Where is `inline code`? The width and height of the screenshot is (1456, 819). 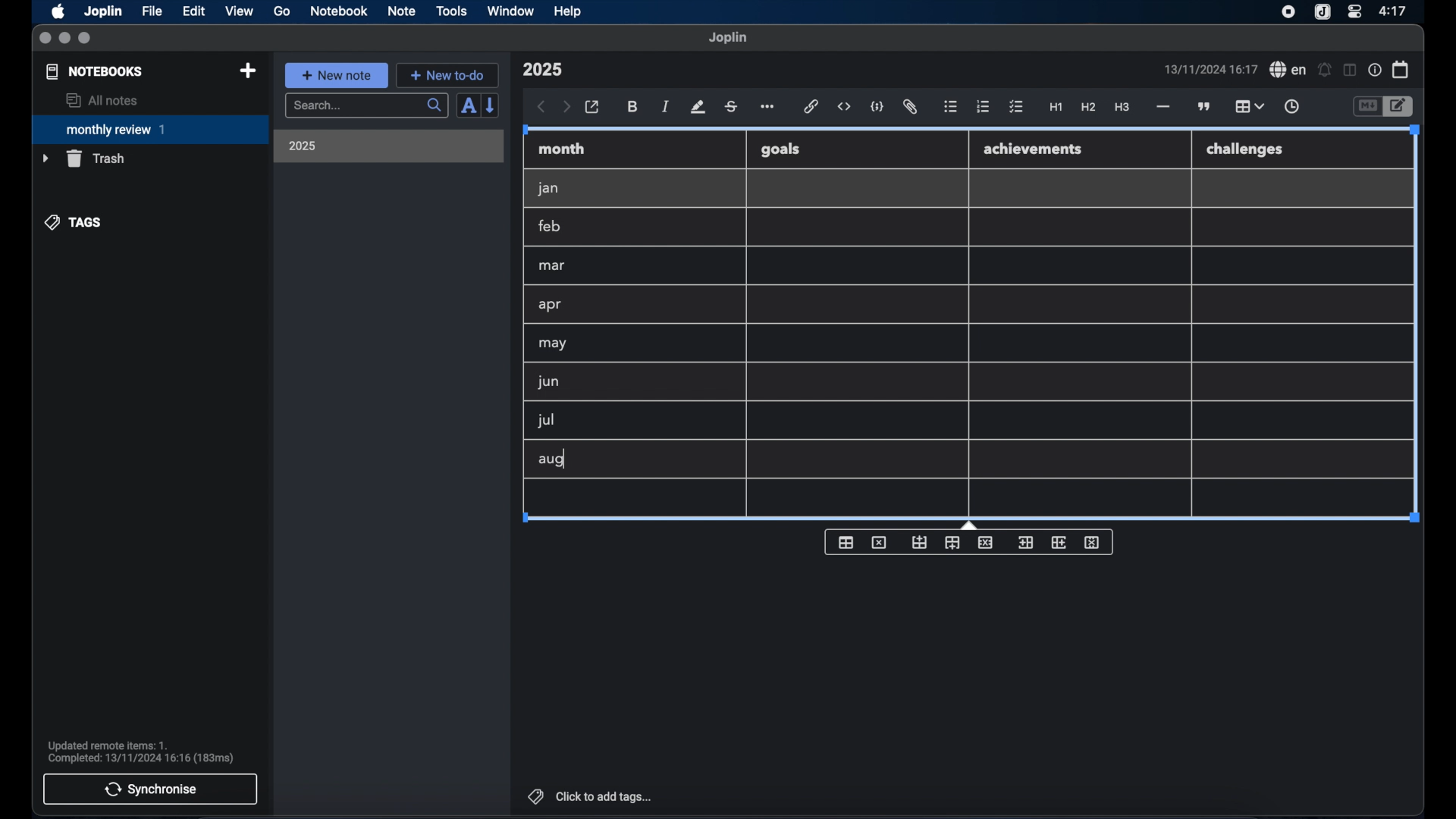
inline code is located at coordinates (844, 107).